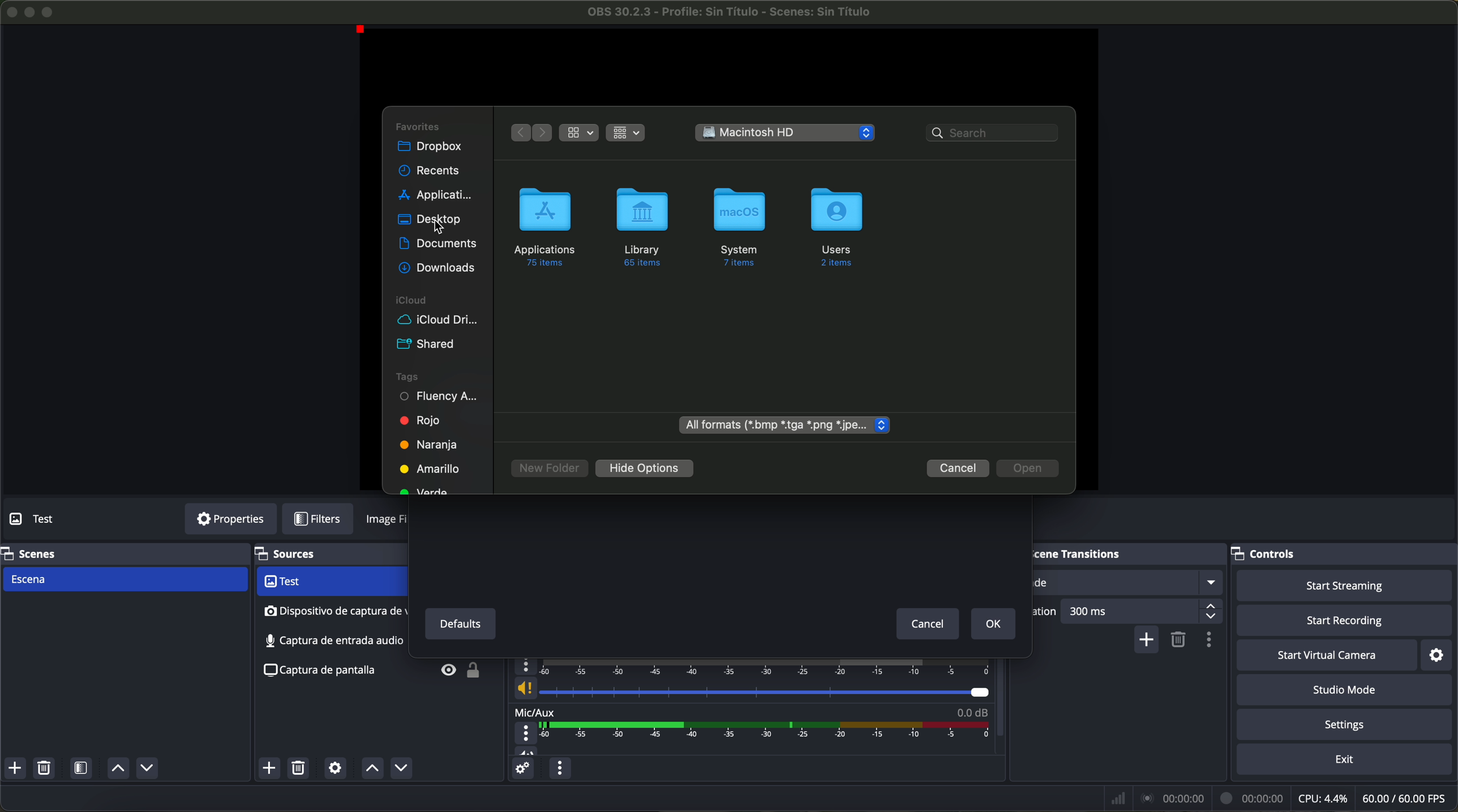  What do you see at coordinates (644, 469) in the screenshot?
I see `hide options` at bounding box center [644, 469].